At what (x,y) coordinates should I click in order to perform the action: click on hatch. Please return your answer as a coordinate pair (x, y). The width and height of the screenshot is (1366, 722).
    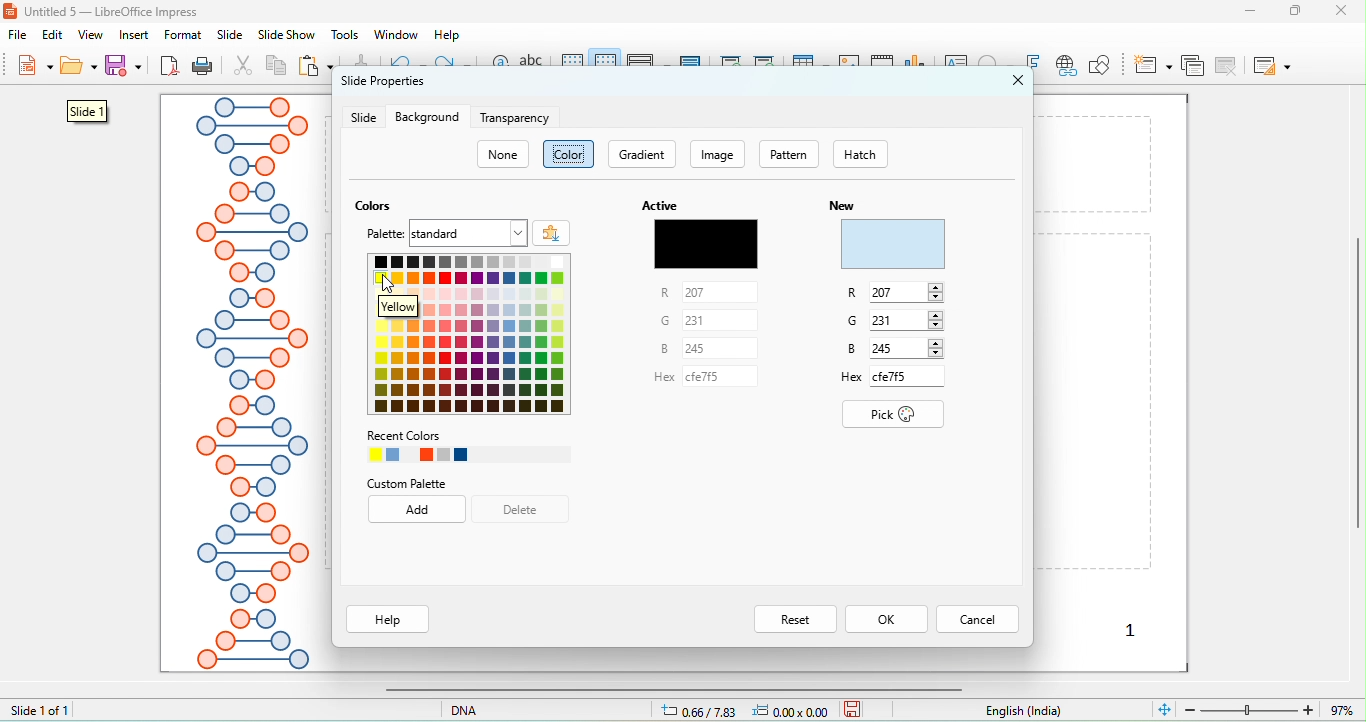
    Looking at the image, I should click on (872, 154).